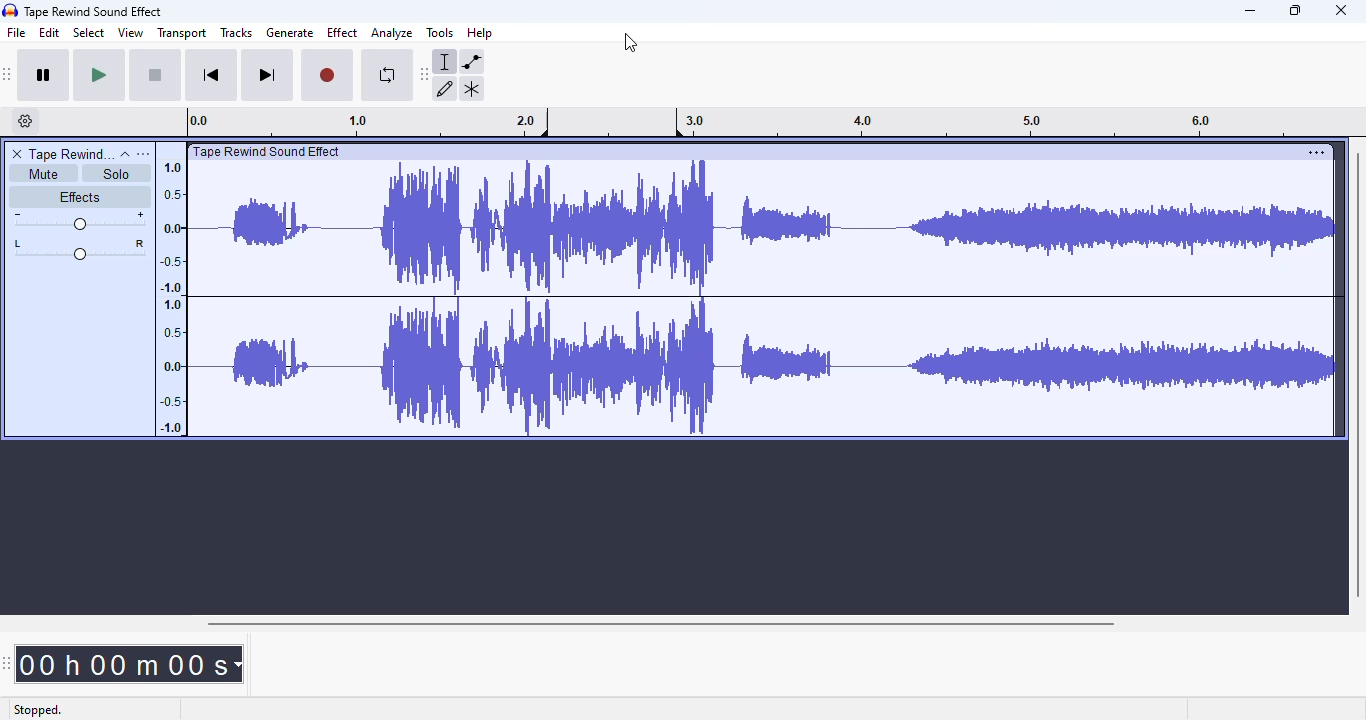 This screenshot has width=1366, height=720. Describe the element at coordinates (1341, 10) in the screenshot. I see `close` at that location.